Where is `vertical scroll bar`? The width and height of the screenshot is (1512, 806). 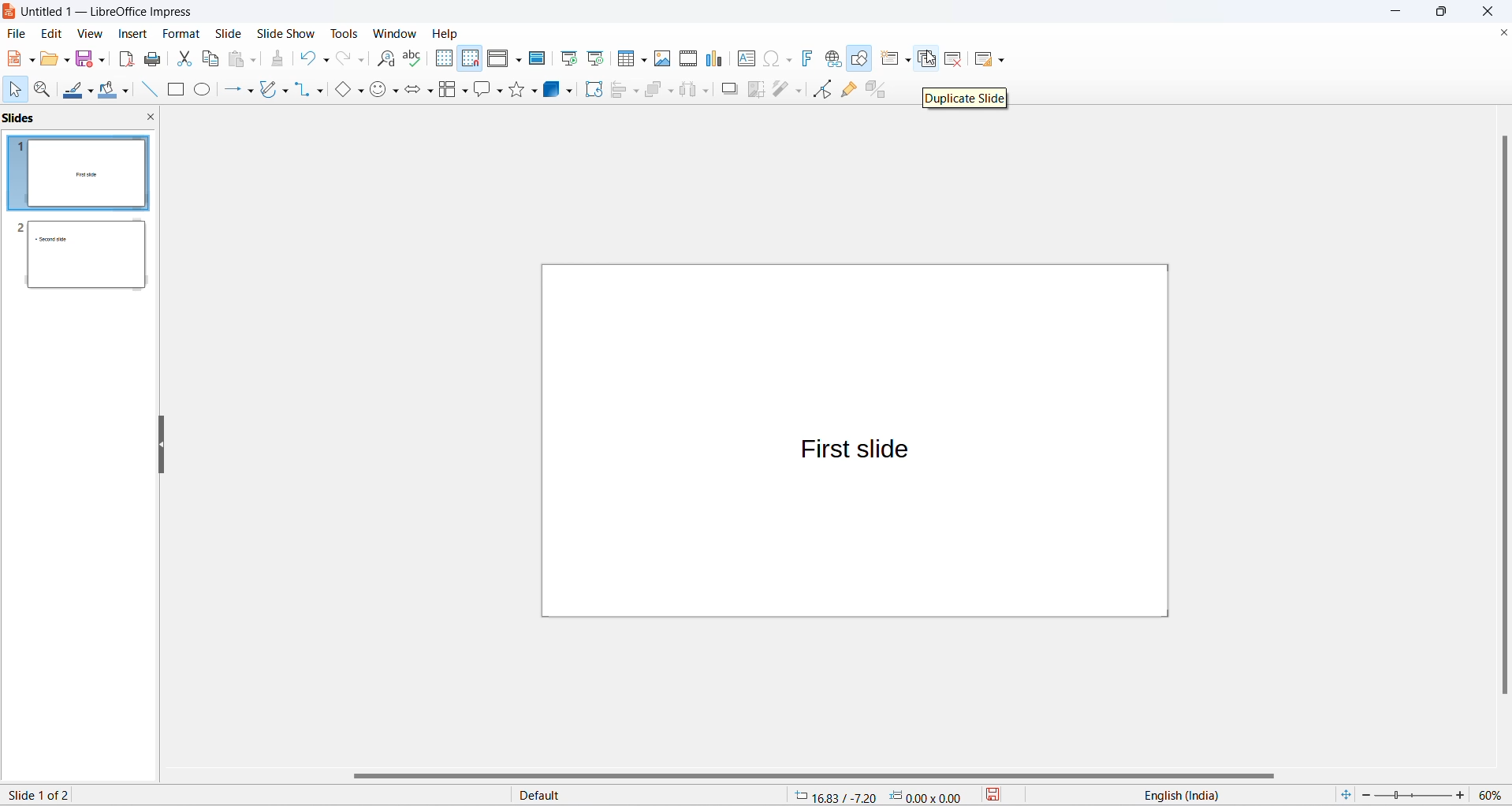
vertical scroll bar is located at coordinates (1503, 434).